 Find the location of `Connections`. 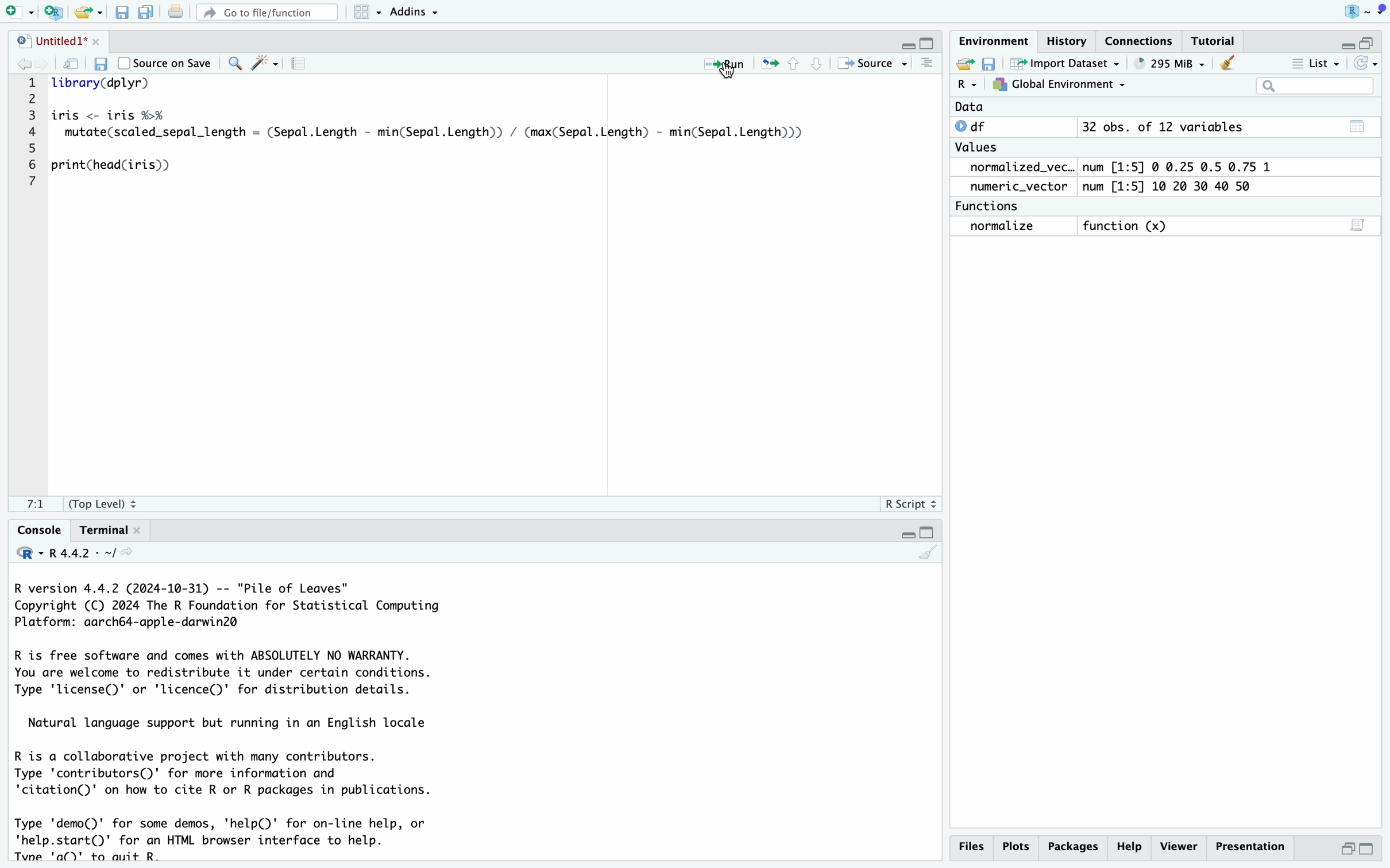

Connections is located at coordinates (1140, 41).